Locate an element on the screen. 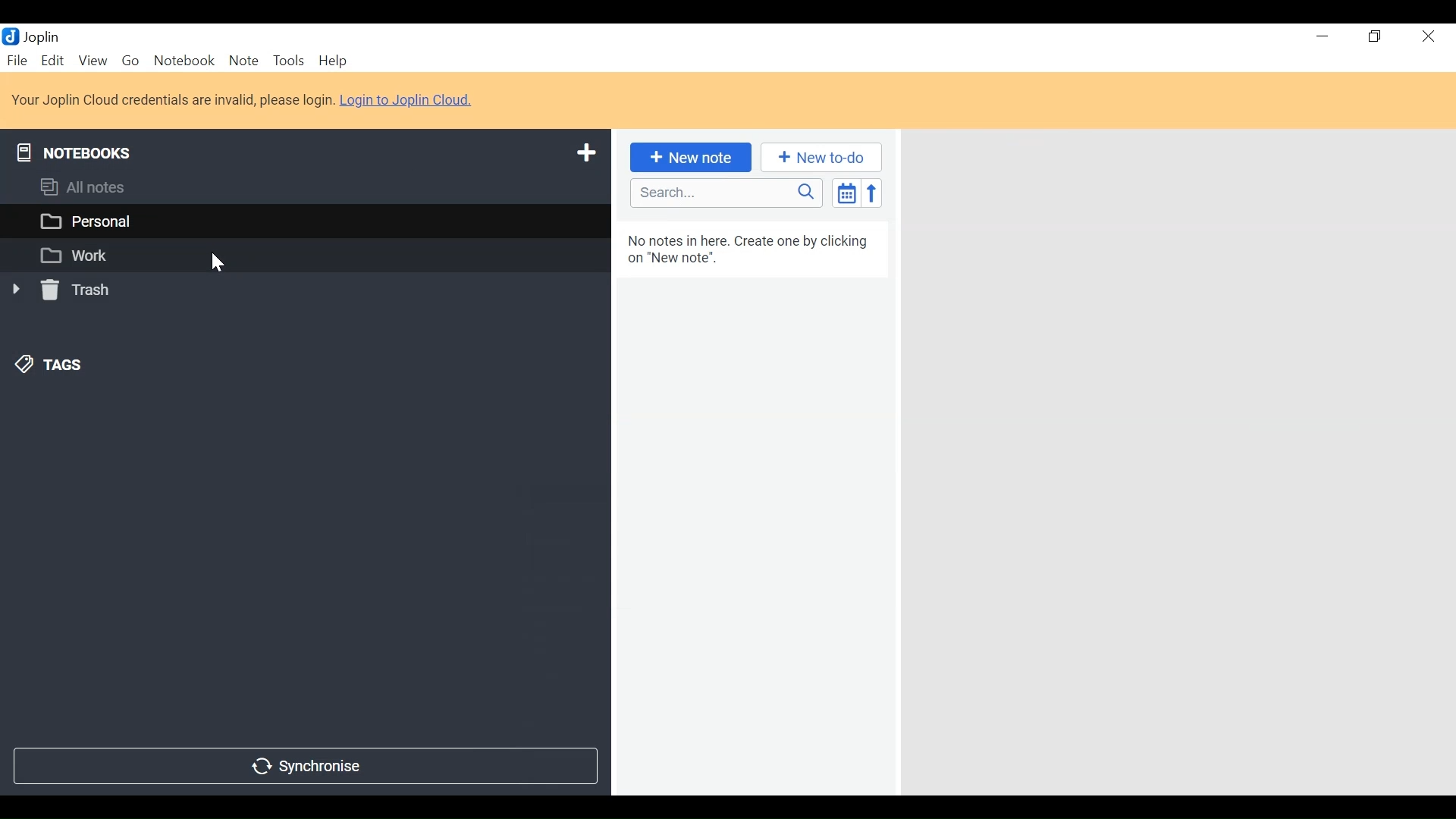 The image size is (1456, 819). No notes in here. Create one by clicking on "New note”. is located at coordinates (755, 253).